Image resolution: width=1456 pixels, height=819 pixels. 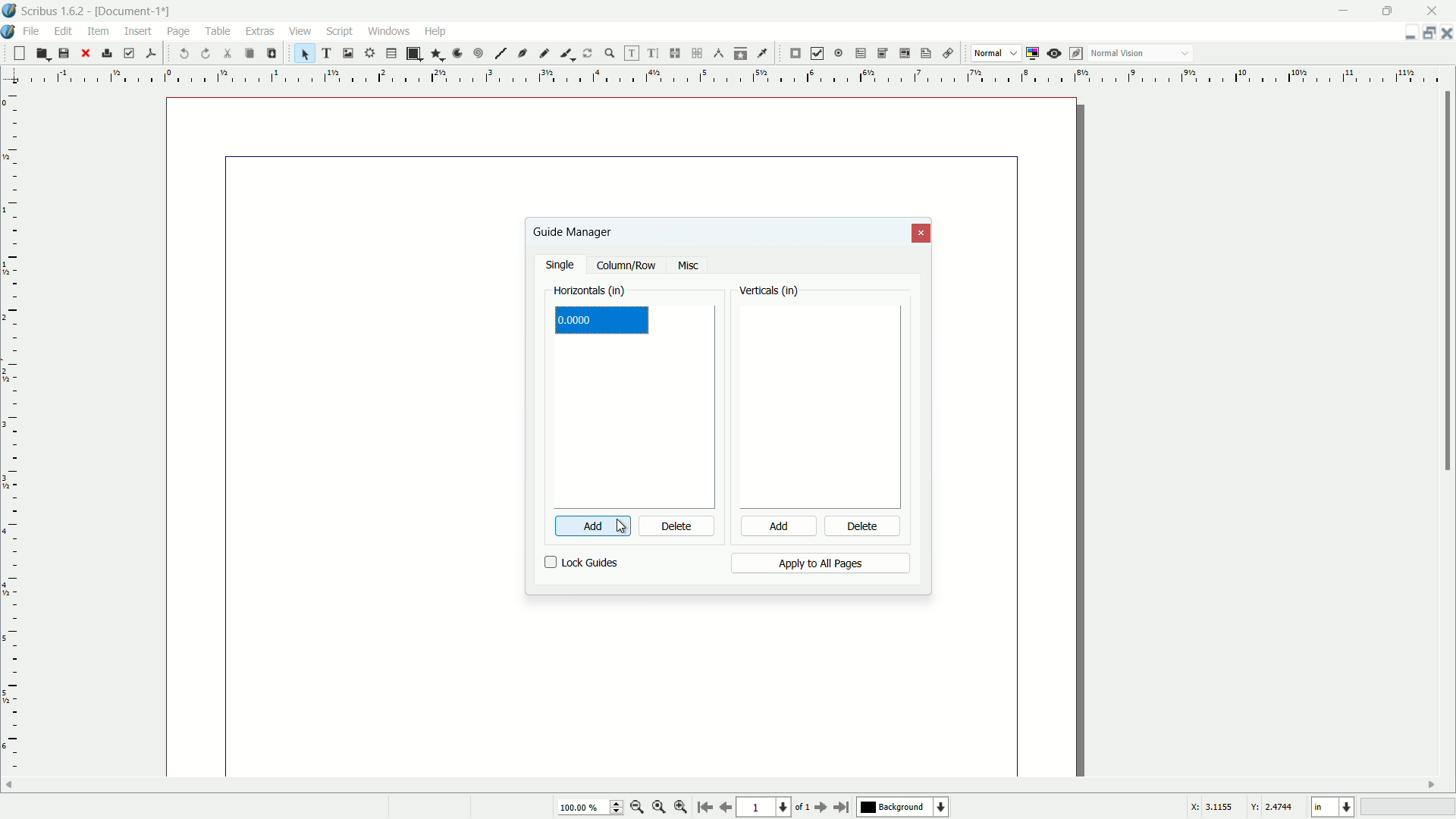 I want to click on app icon, so click(x=9, y=11).